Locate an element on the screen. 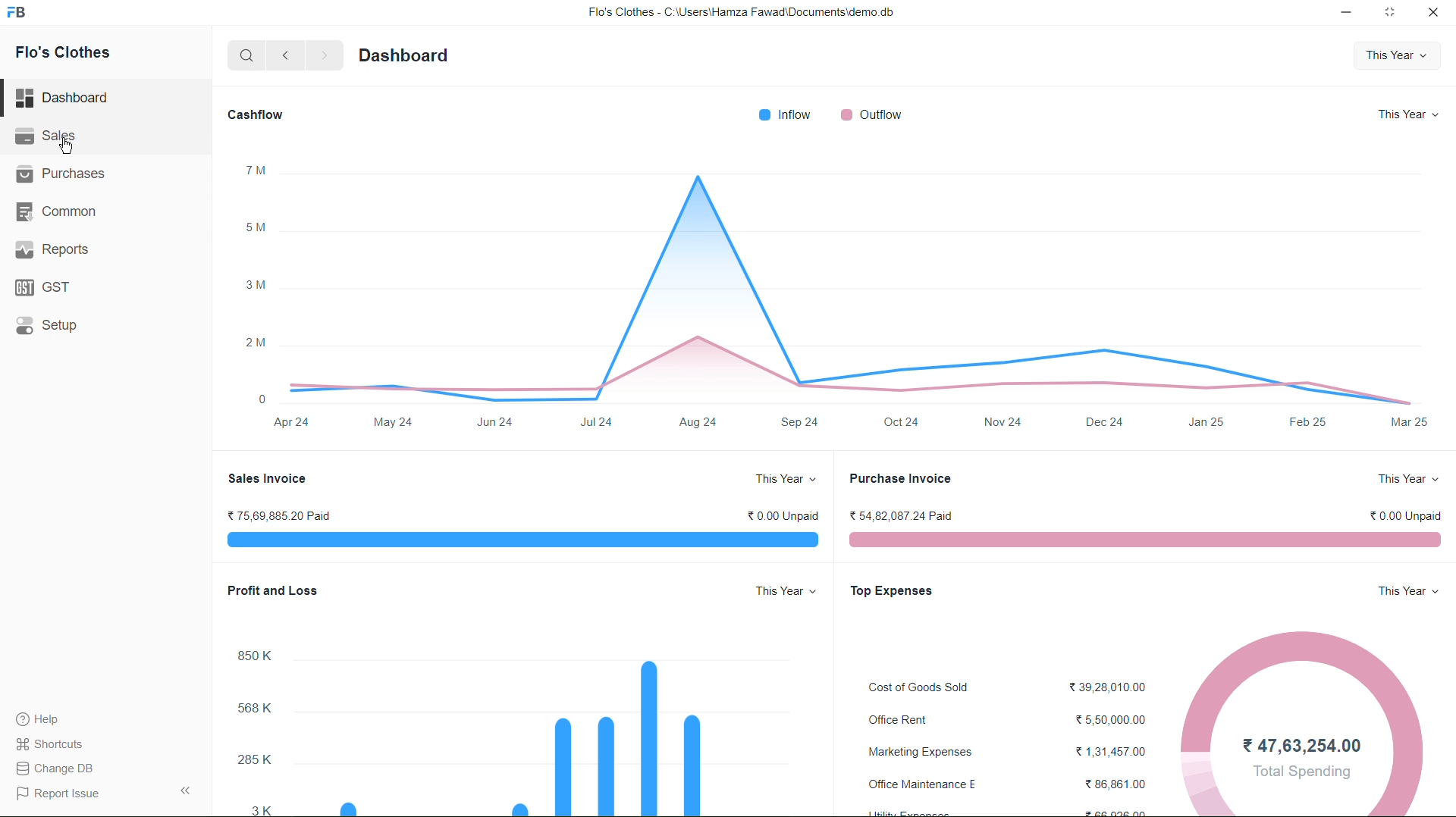 The height and width of the screenshot is (817, 1456). Office Maintenance E is located at coordinates (927, 783).